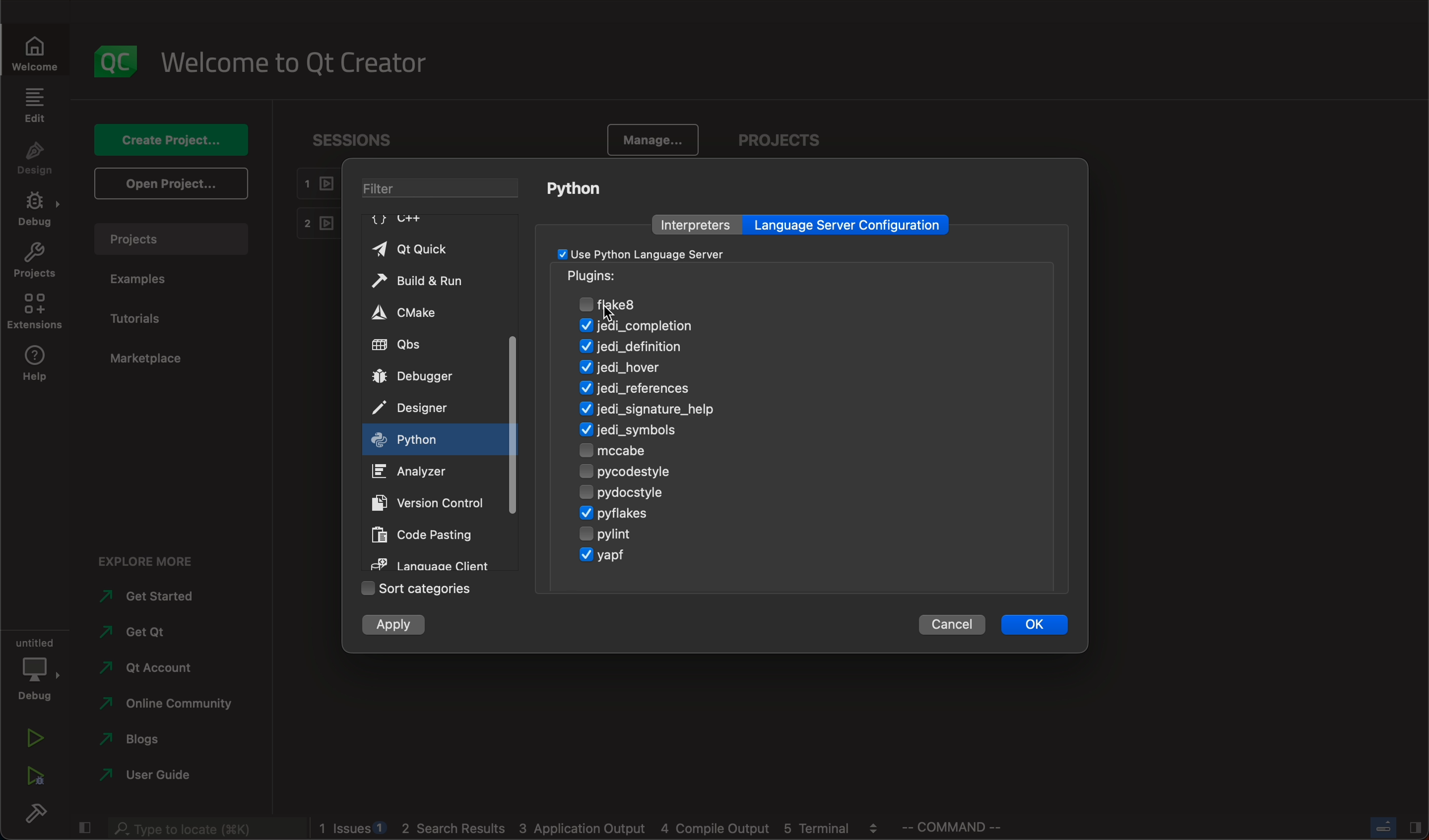  What do you see at coordinates (408, 311) in the screenshot?
I see `cmake` at bounding box center [408, 311].